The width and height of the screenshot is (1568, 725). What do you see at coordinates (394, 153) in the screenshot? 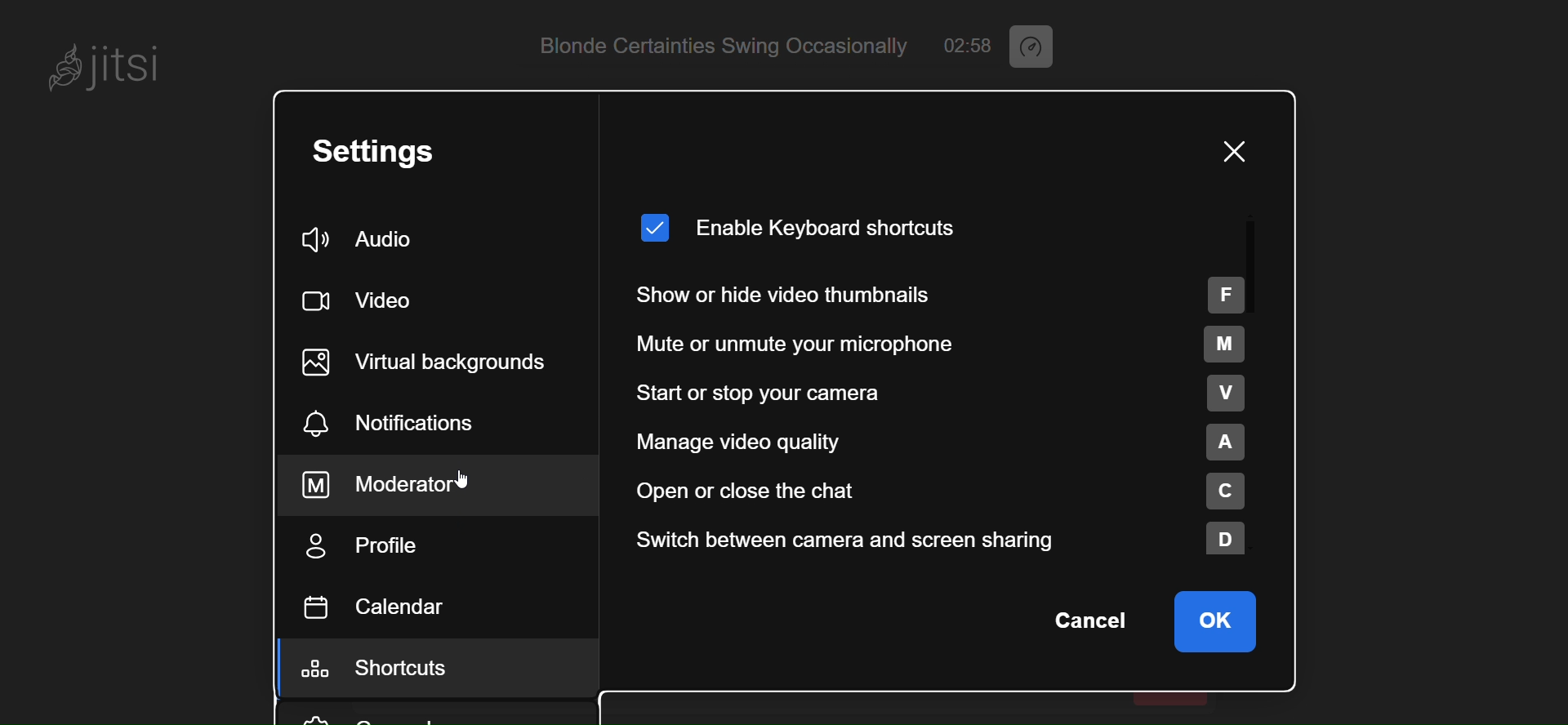
I see `setting` at bounding box center [394, 153].